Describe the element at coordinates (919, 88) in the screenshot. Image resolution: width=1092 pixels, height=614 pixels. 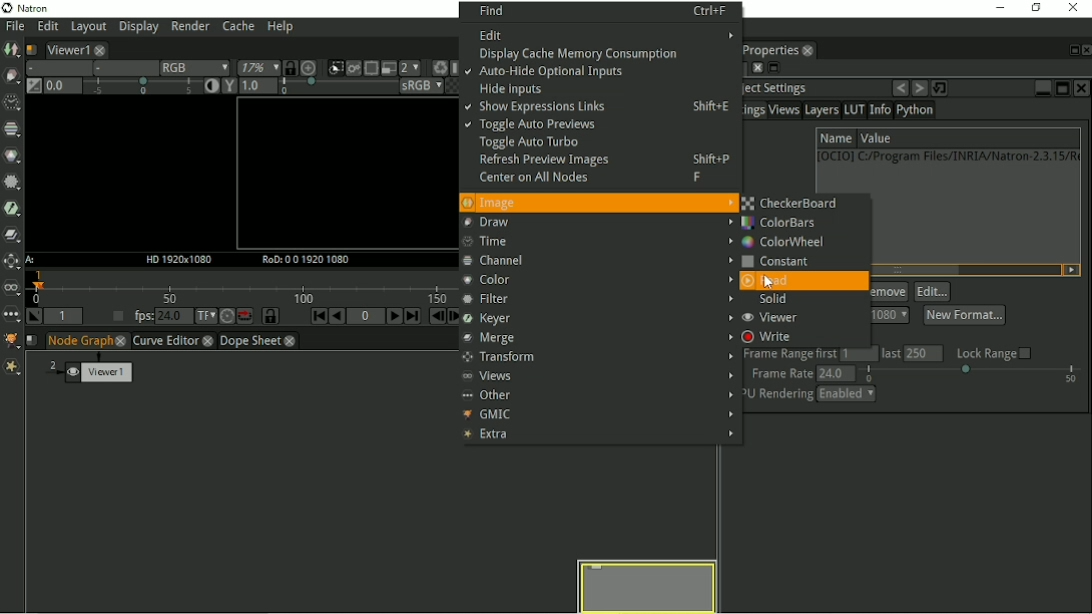
I see `Redo` at that location.